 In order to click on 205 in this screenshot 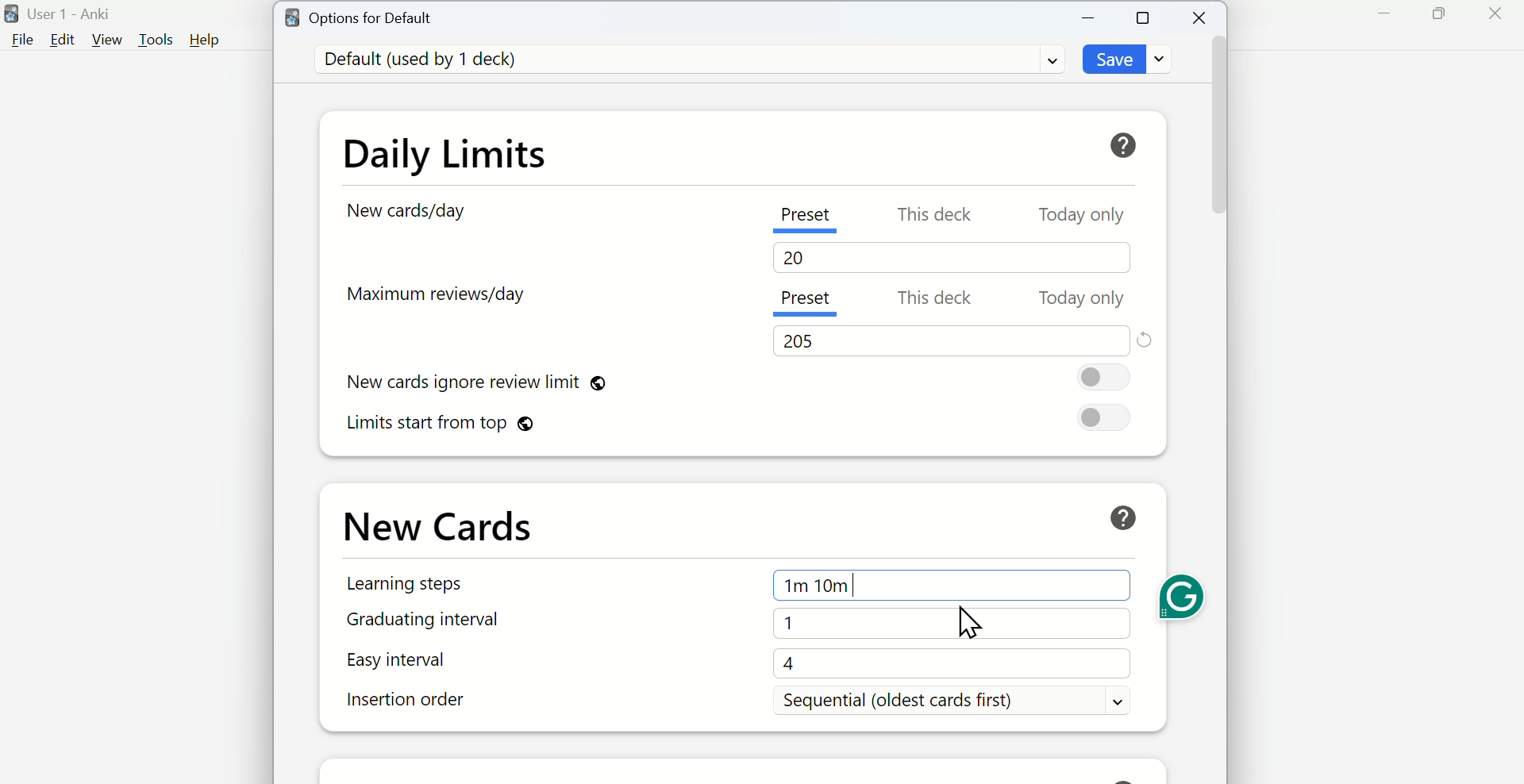, I will do `click(810, 340)`.